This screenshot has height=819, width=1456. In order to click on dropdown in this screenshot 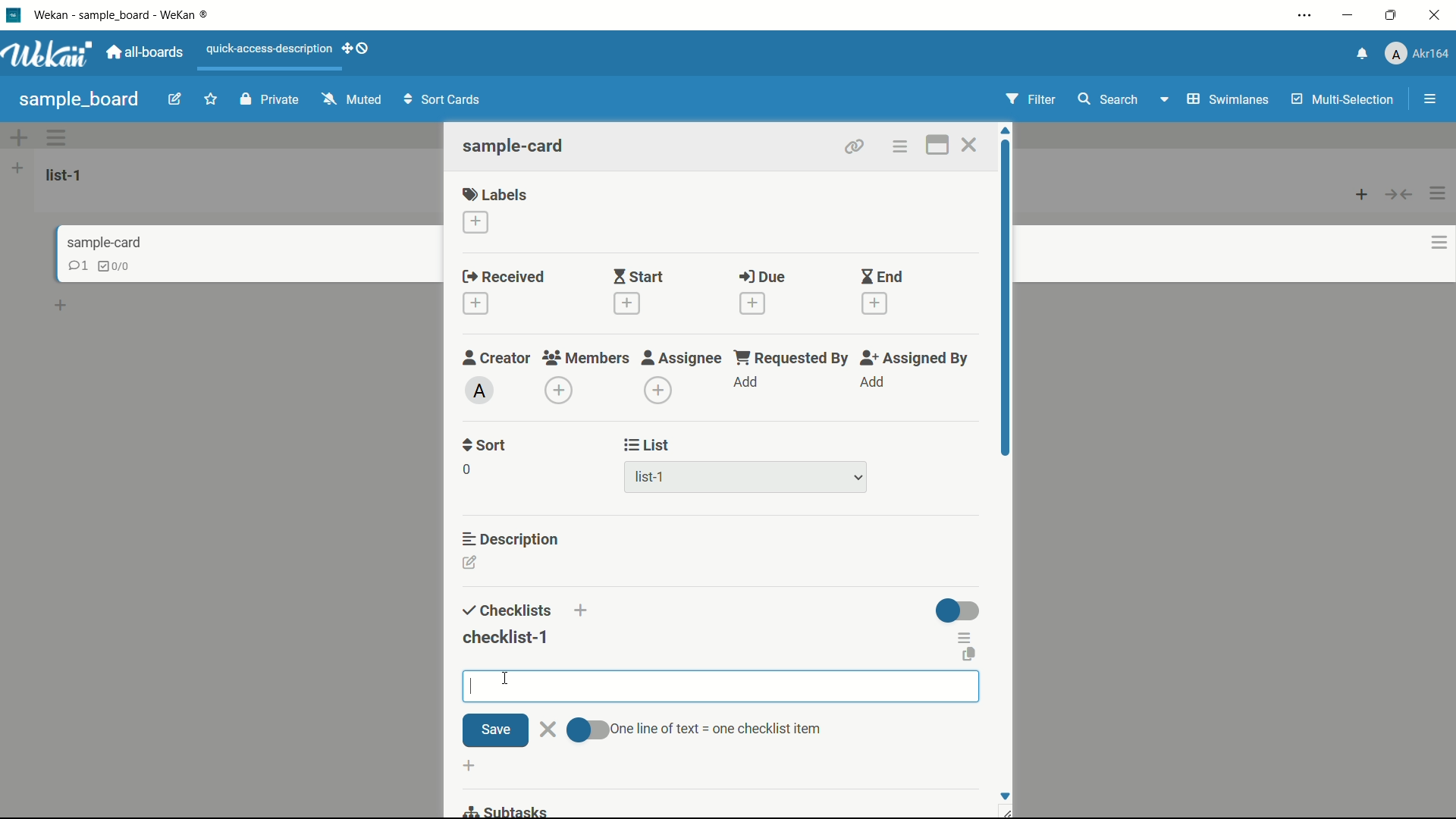, I will do `click(859, 478)`.